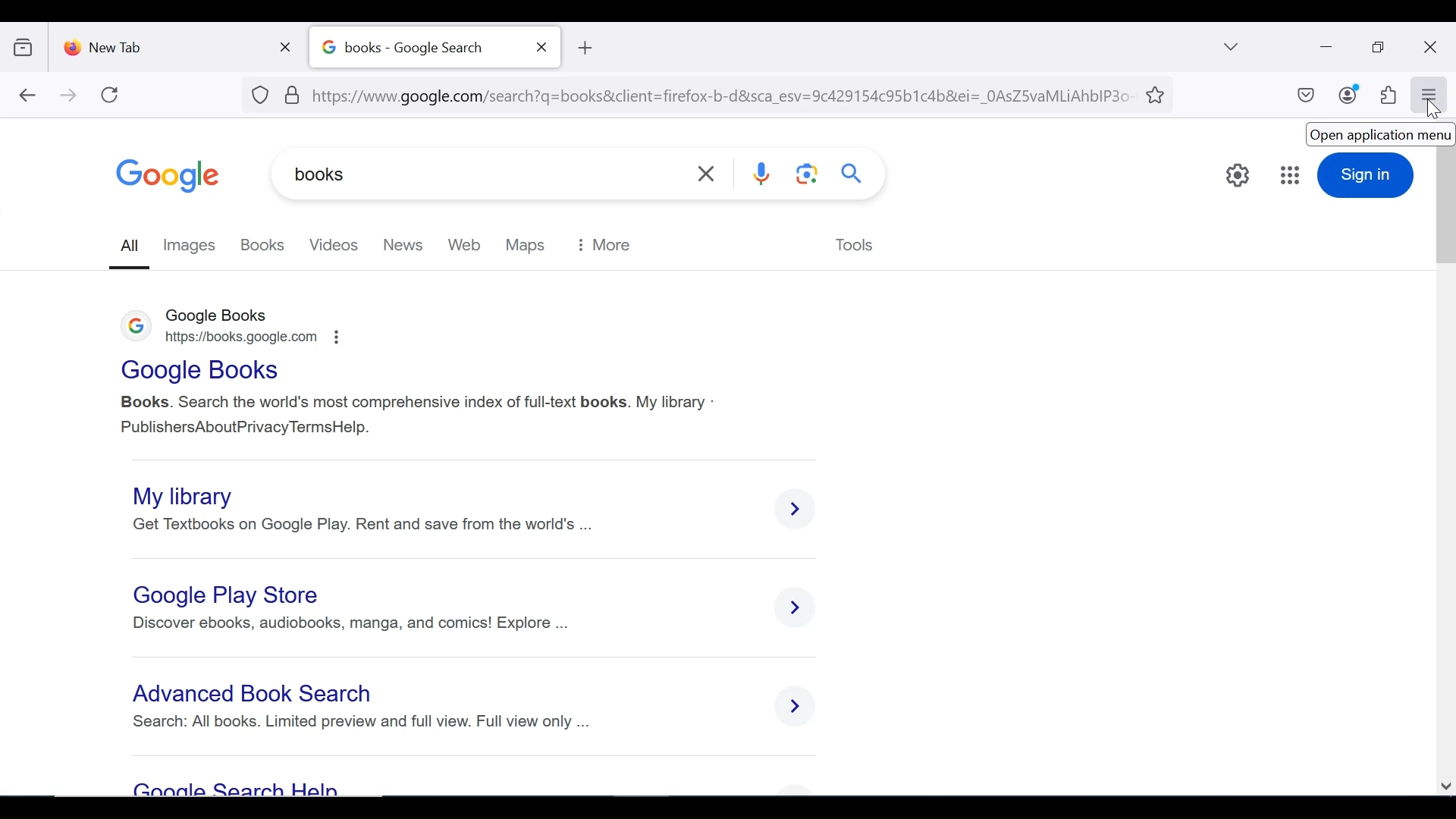 The width and height of the screenshot is (1456, 819). Describe the element at coordinates (289, 44) in the screenshot. I see `close tab` at that location.